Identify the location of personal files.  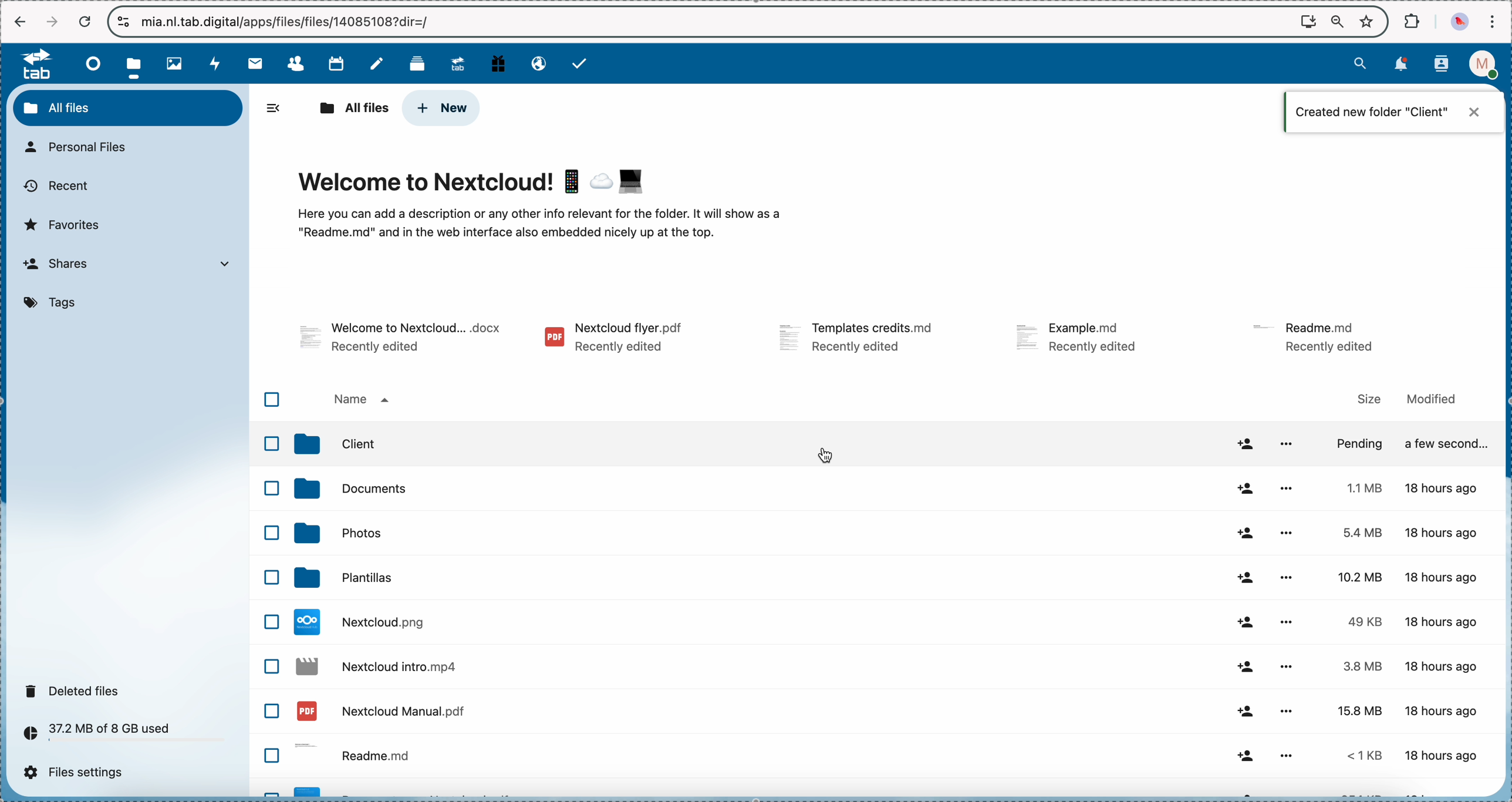
(82, 148).